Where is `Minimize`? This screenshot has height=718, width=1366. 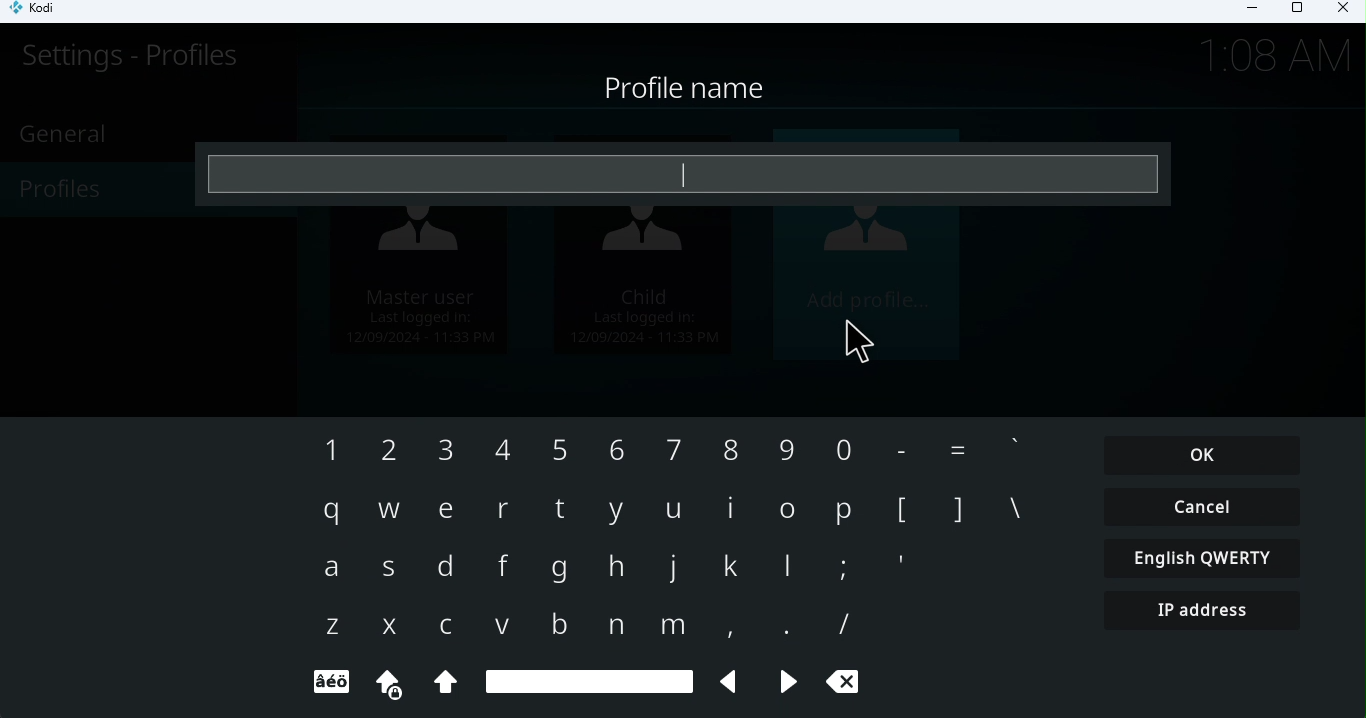 Minimize is located at coordinates (1245, 11).